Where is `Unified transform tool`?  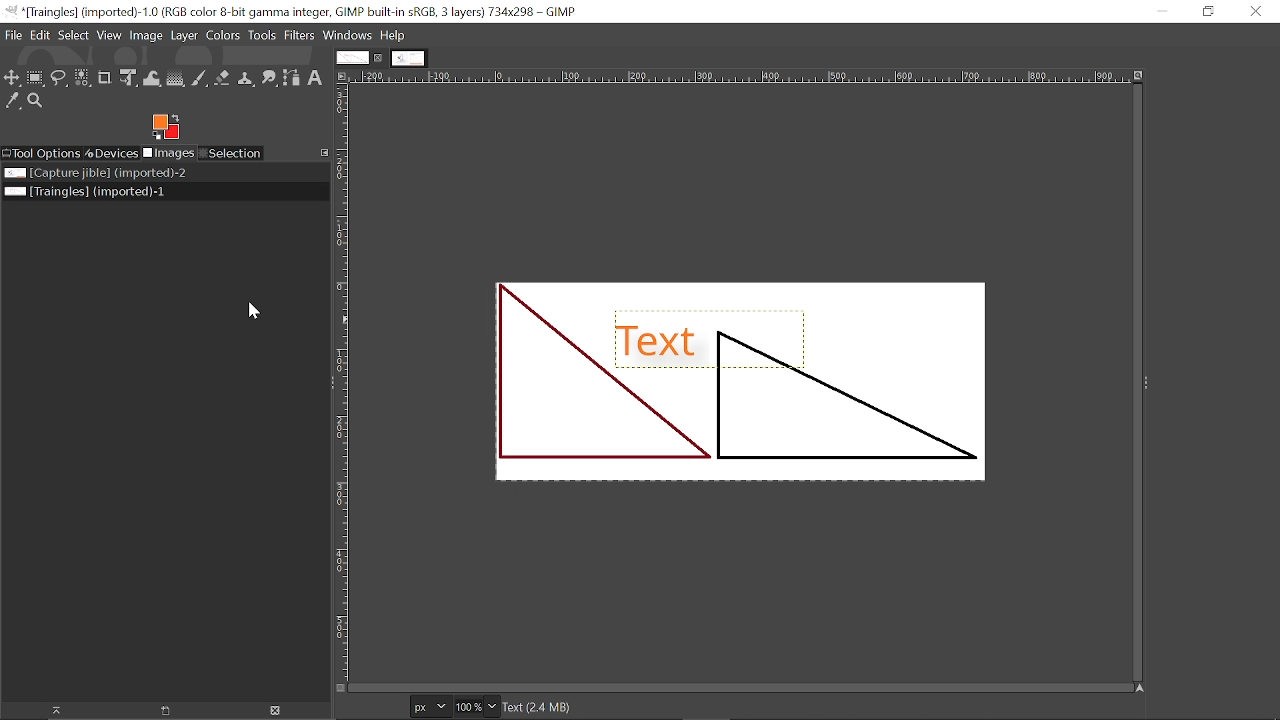
Unified transform tool is located at coordinates (128, 77).